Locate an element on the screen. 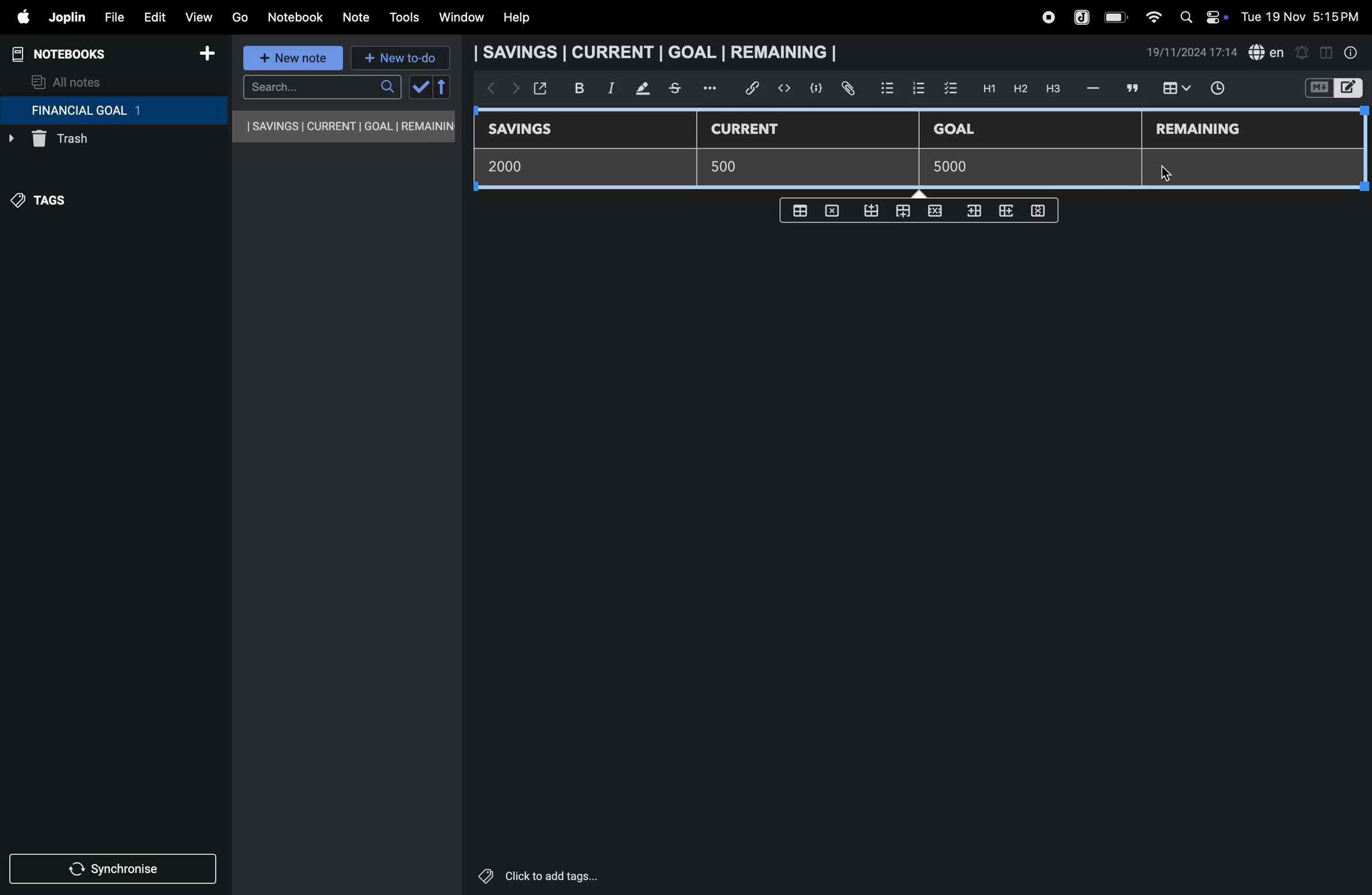 Image resolution: width=1372 pixels, height=895 pixels. hyper link is located at coordinates (756, 88).